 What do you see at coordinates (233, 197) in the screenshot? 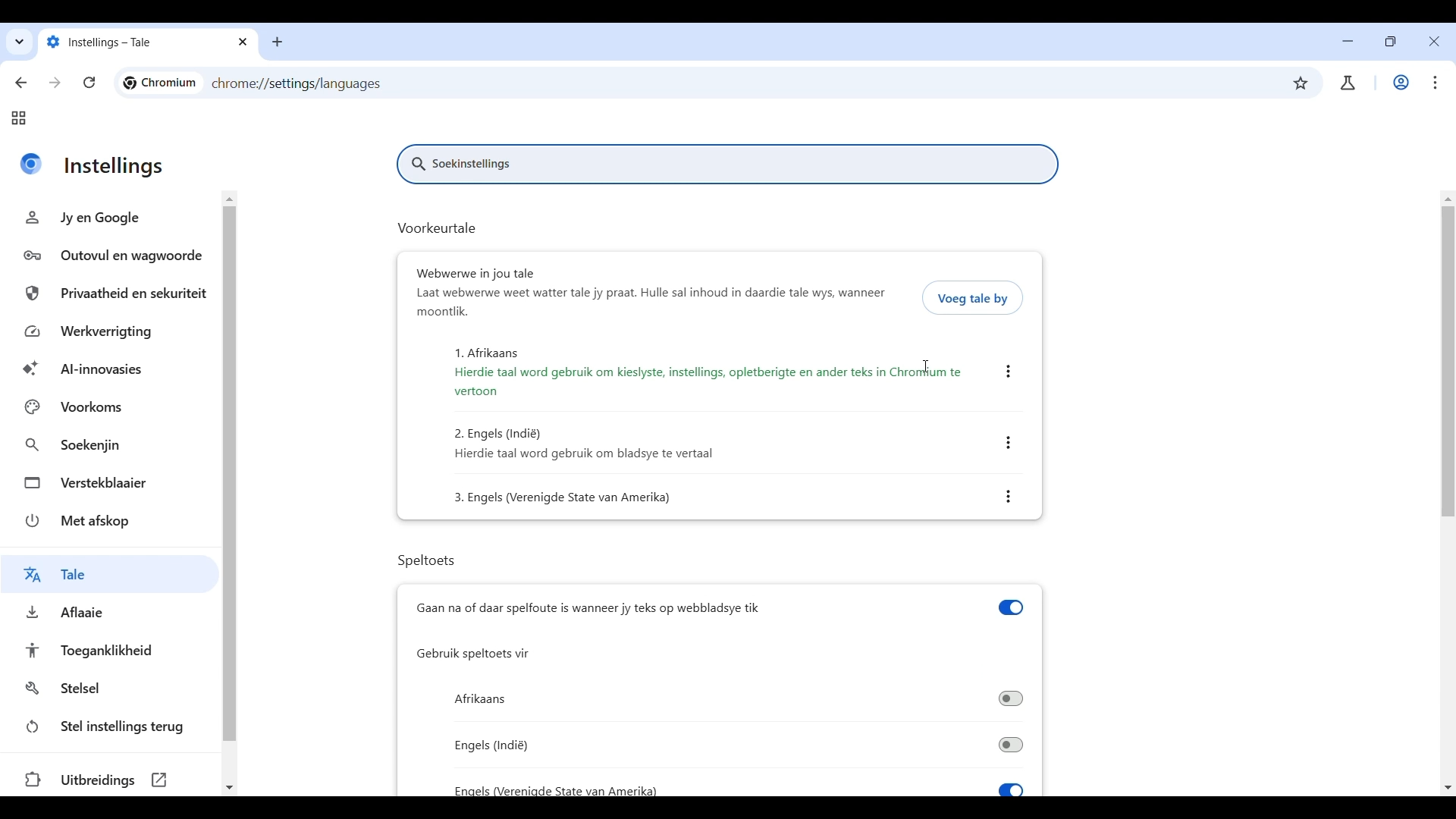
I see `quick slide to top` at bounding box center [233, 197].